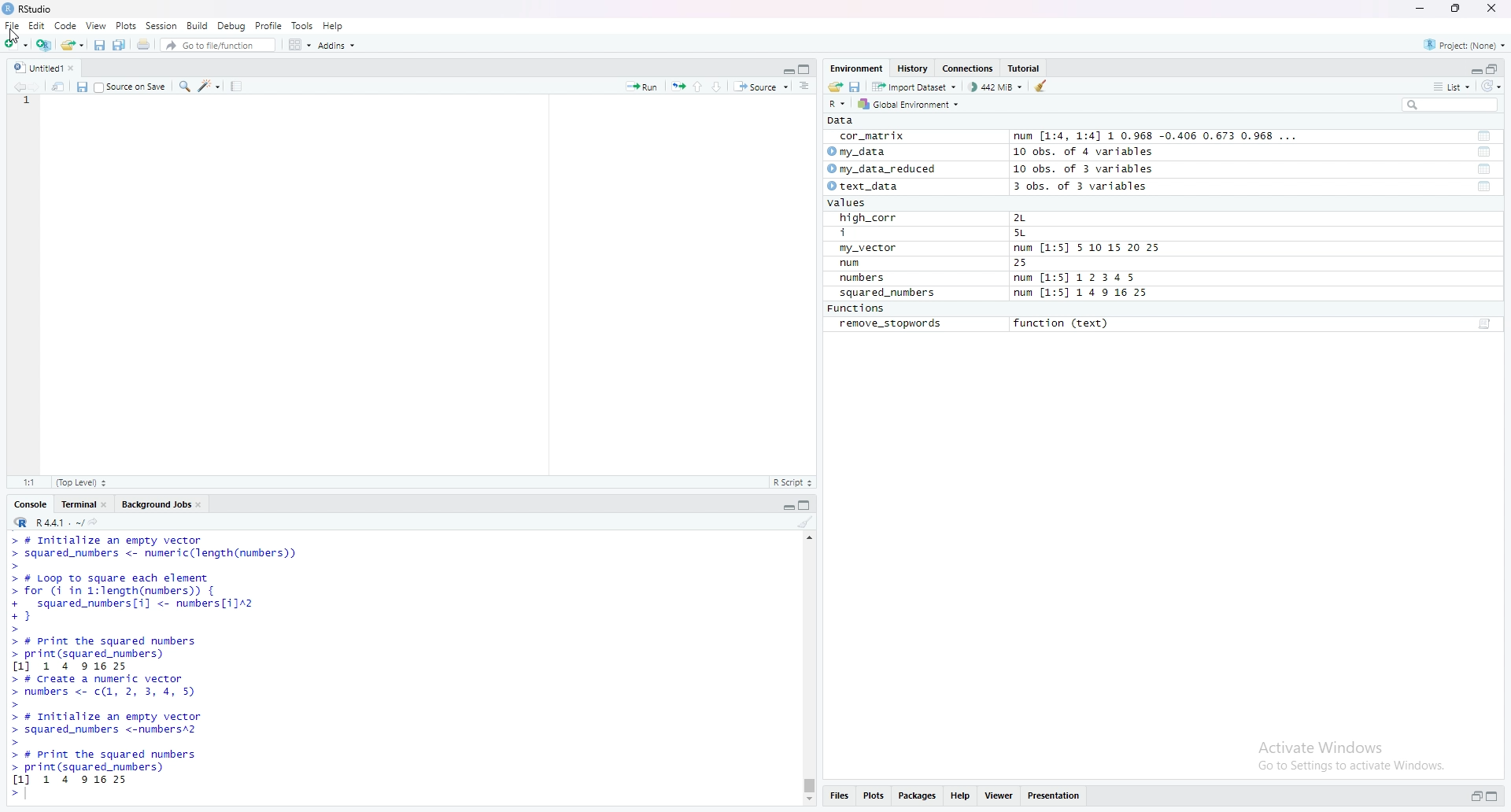 Image resolution: width=1511 pixels, height=812 pixels. Describe the element at coordinates (1081, 293) in the screenshot. I see `num [1:5] 1 4 9 16 25` at that location.